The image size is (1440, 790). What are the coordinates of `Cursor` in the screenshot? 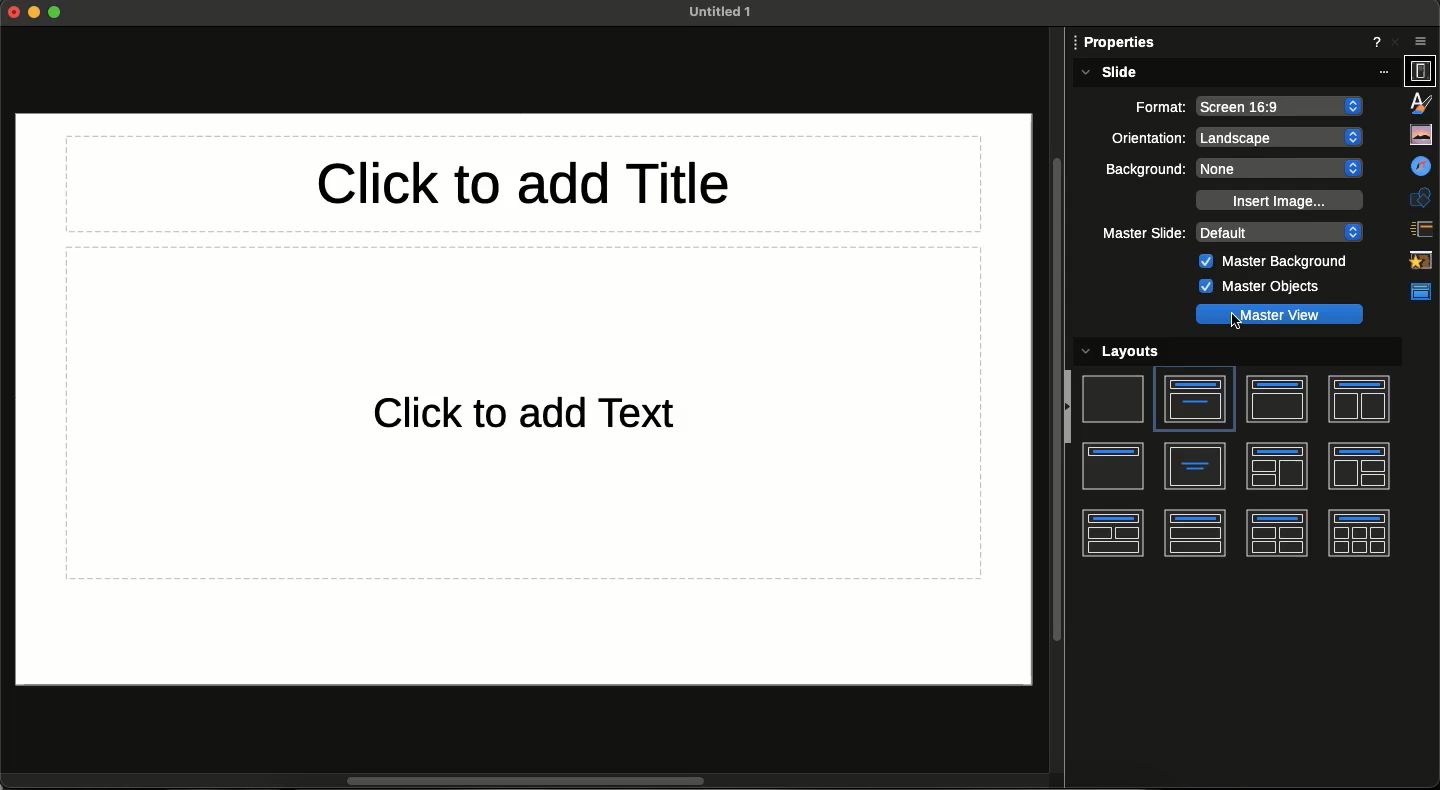 It's located at (1238, 324).